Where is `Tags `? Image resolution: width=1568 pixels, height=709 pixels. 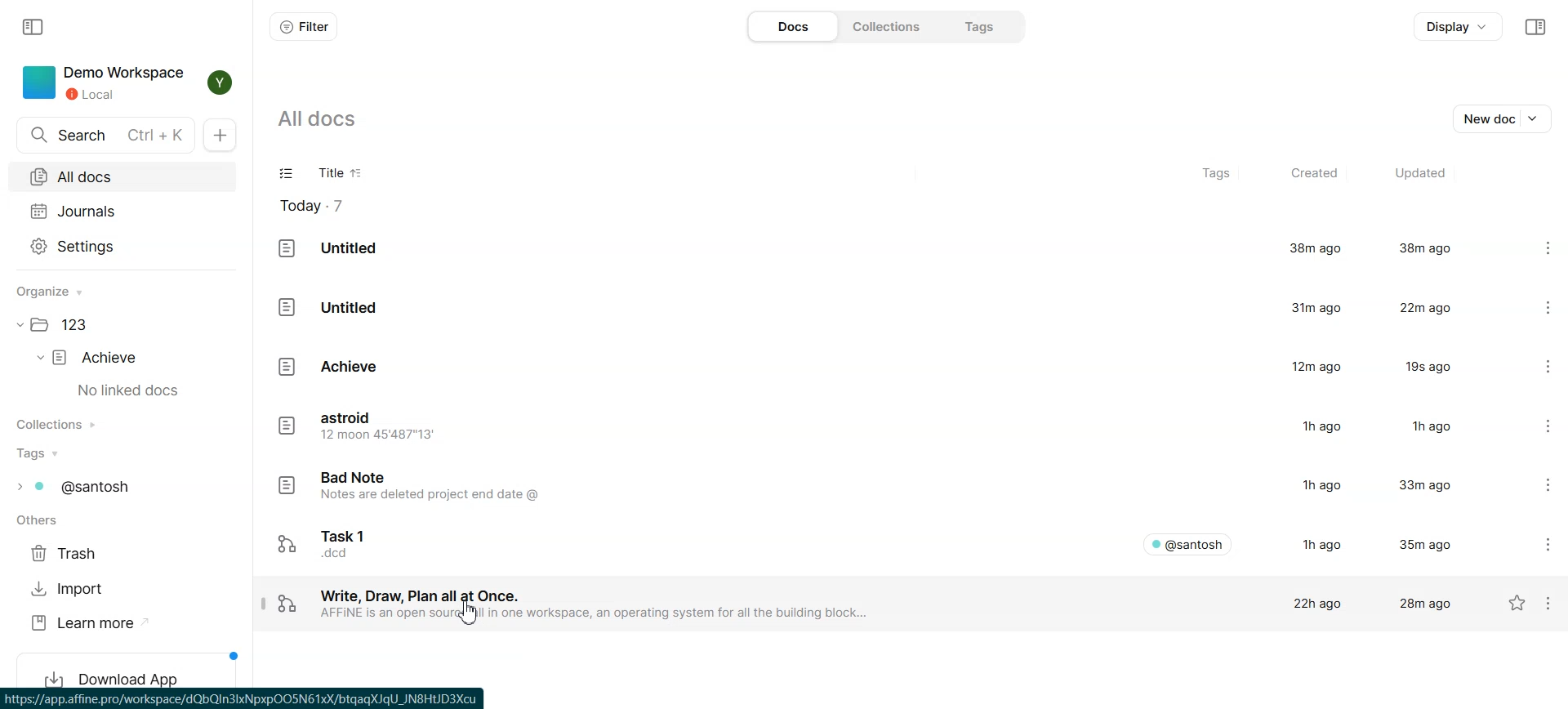
Tags  is located at coordinates (84, 487).